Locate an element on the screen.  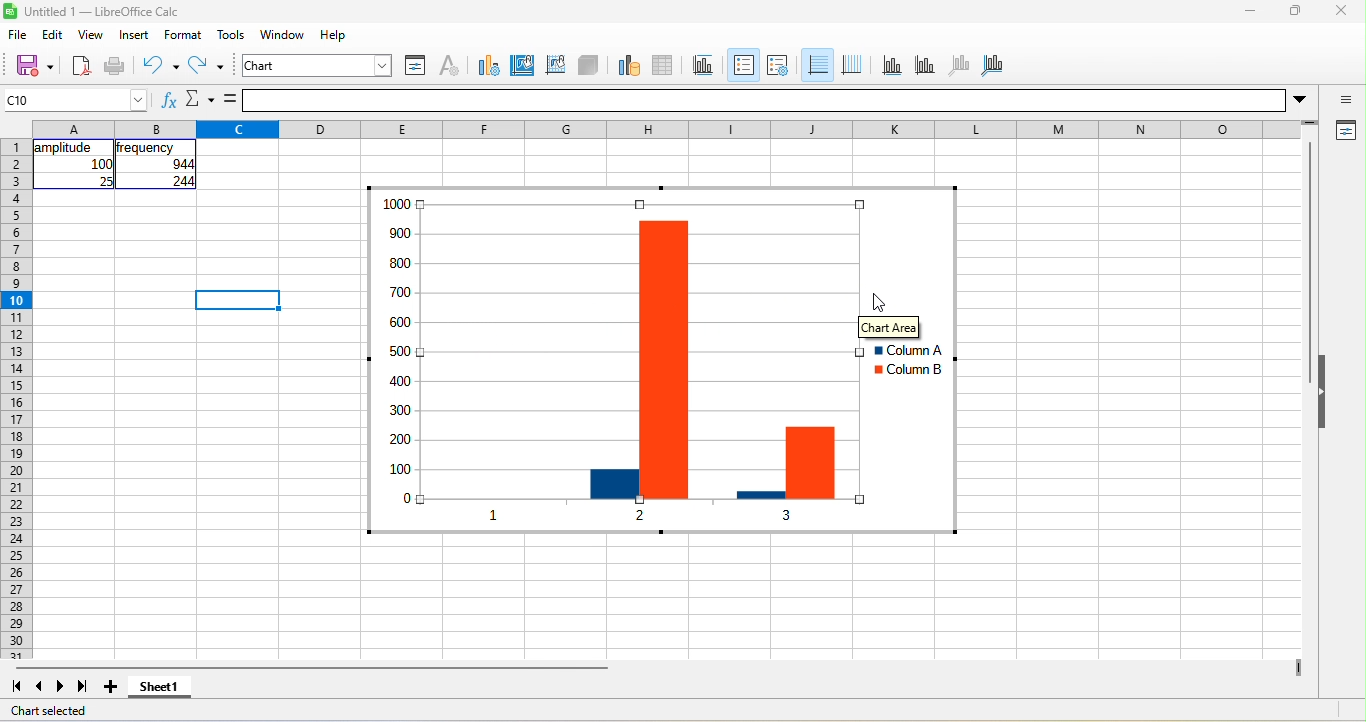
chart is located at coordinates (319, 65).